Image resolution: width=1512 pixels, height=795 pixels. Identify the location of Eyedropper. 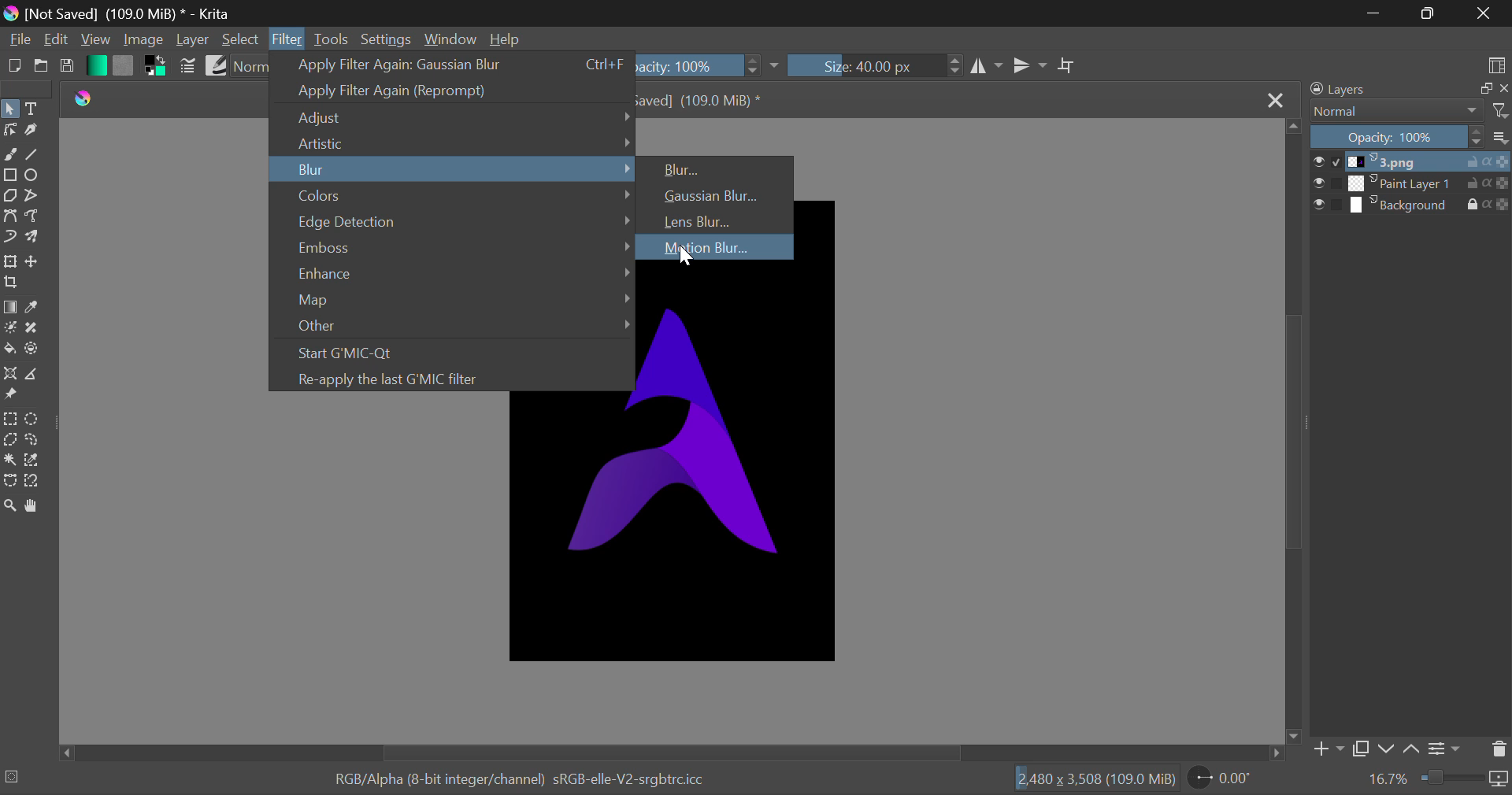
(35, 307).